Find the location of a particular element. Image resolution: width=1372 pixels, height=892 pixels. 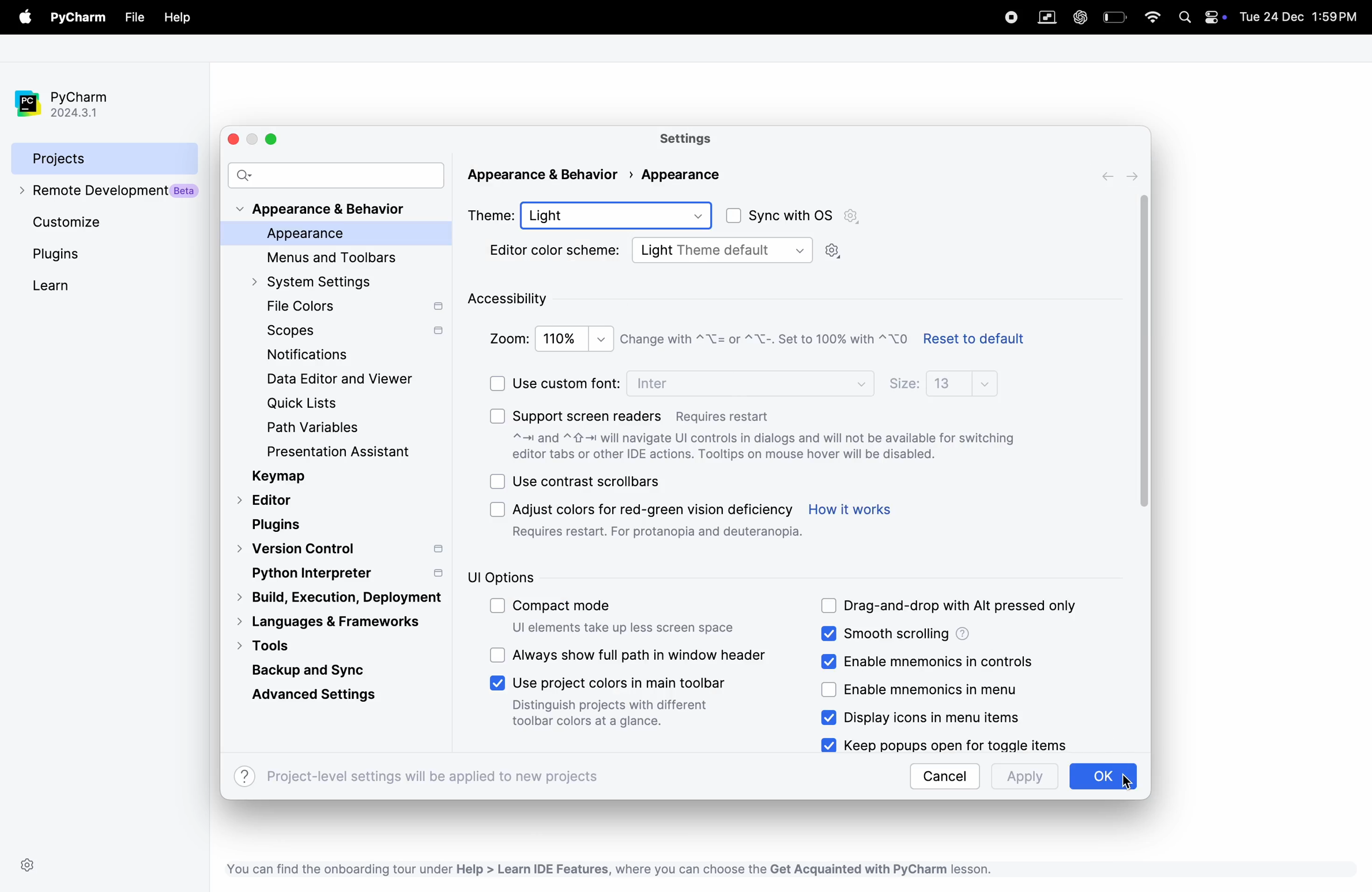

Requires restart. For protanopia and deuteranopia. is located at coordinates (660, 536).